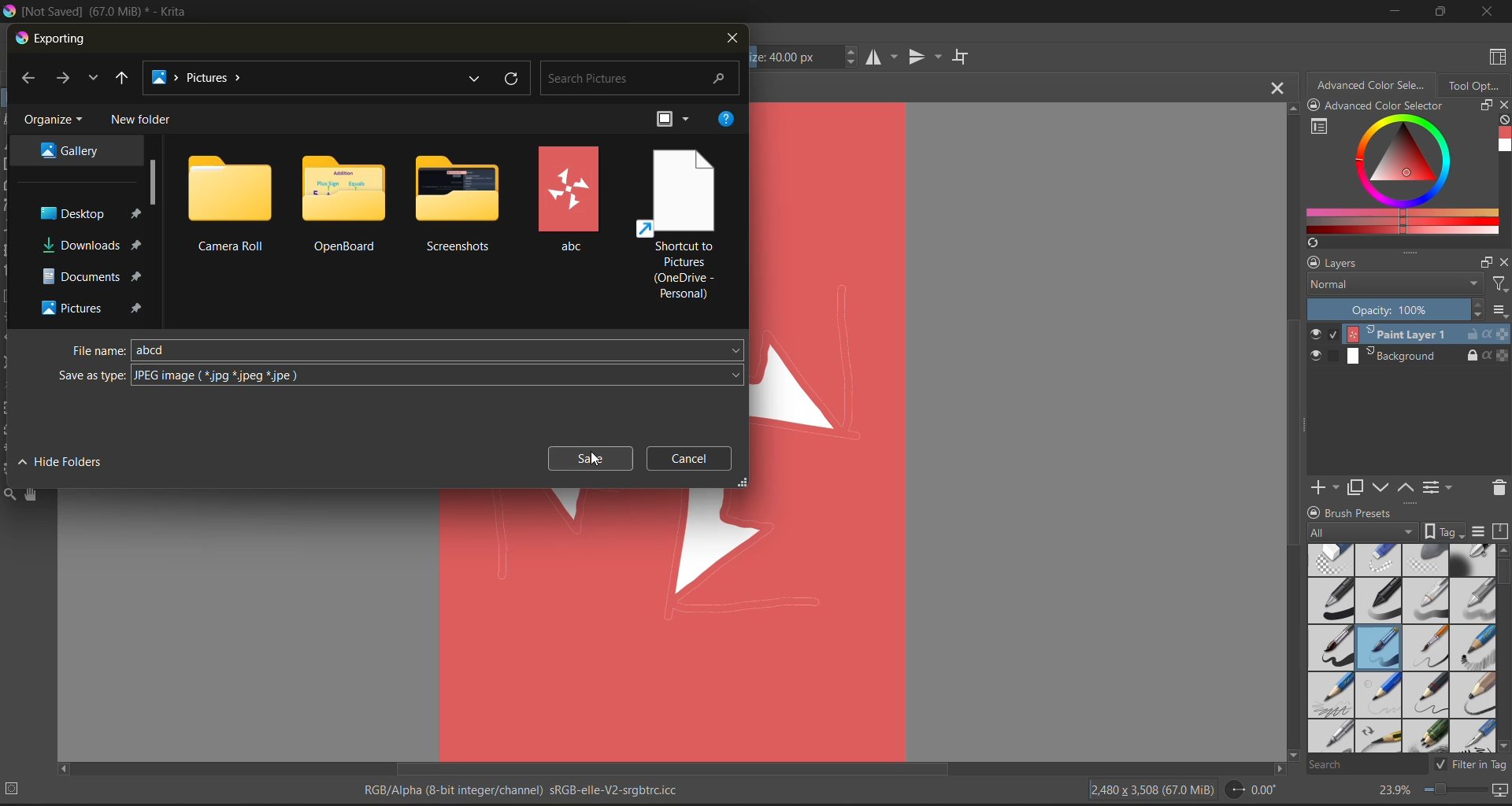  I want to click on mask up, so click(1408, 486).